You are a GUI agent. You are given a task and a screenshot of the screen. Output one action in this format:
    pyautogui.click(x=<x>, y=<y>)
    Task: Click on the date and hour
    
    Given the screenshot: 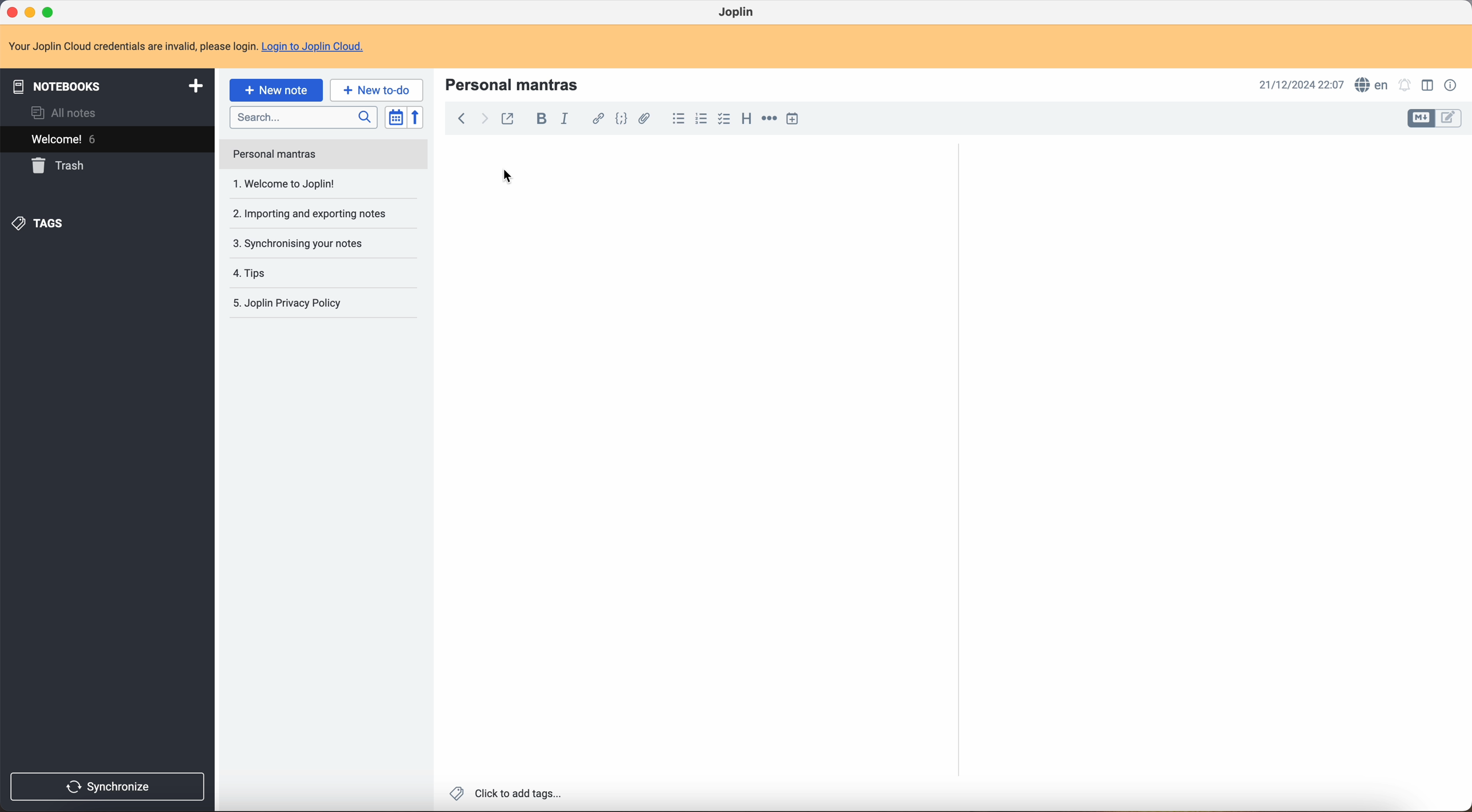 What is the action you would take?
    pyautogui.click(x=1297, y=83)
    